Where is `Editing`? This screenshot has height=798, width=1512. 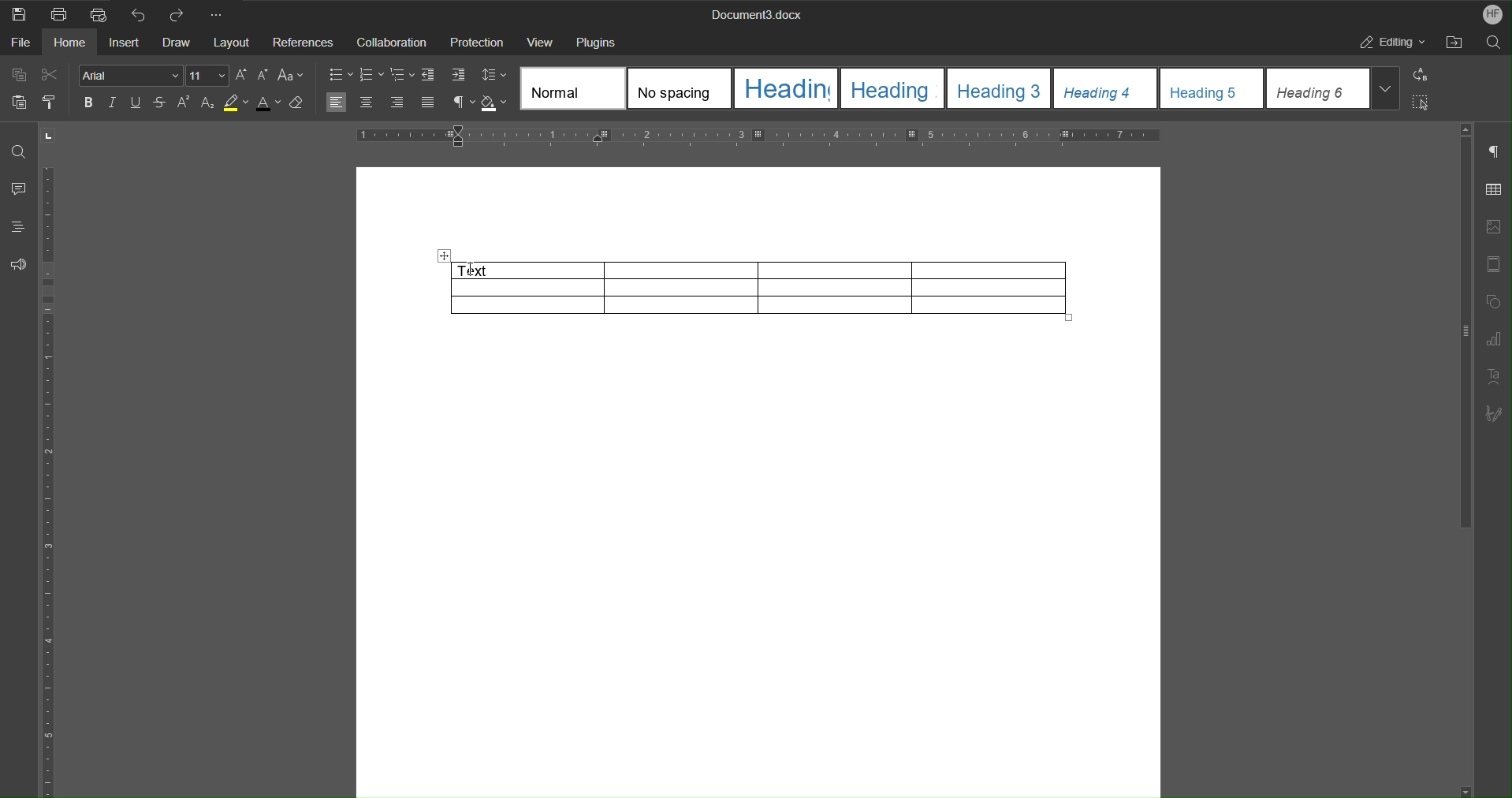 Editing is located at coordinates (1389, 42).